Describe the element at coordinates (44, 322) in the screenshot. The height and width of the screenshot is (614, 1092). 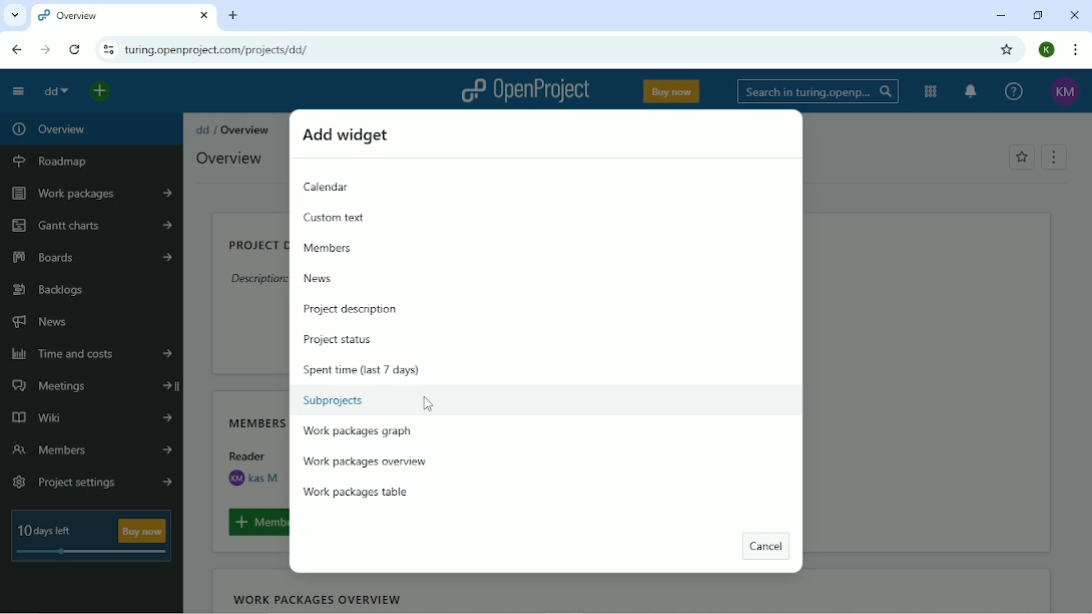
I see `News` at that location.